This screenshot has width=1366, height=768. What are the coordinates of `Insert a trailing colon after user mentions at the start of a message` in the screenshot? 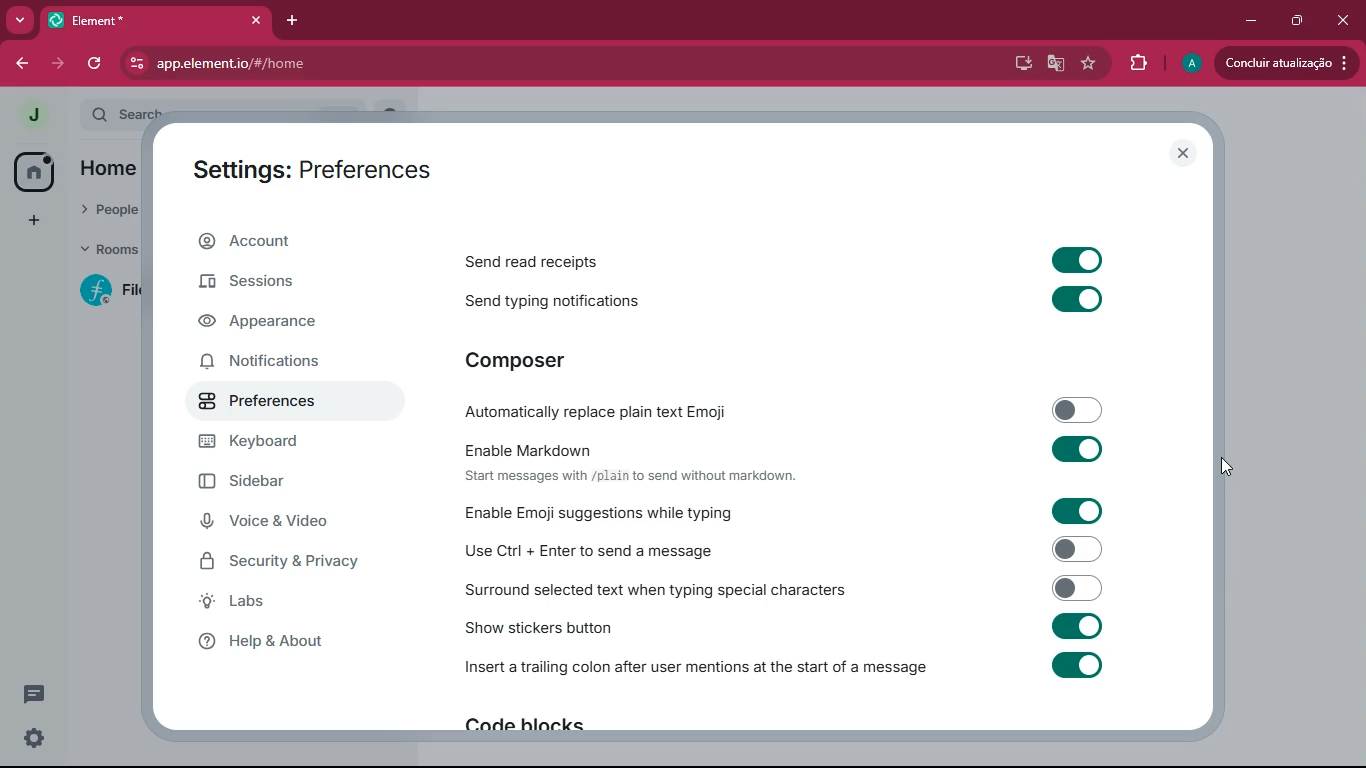 It's located at (782, 674).